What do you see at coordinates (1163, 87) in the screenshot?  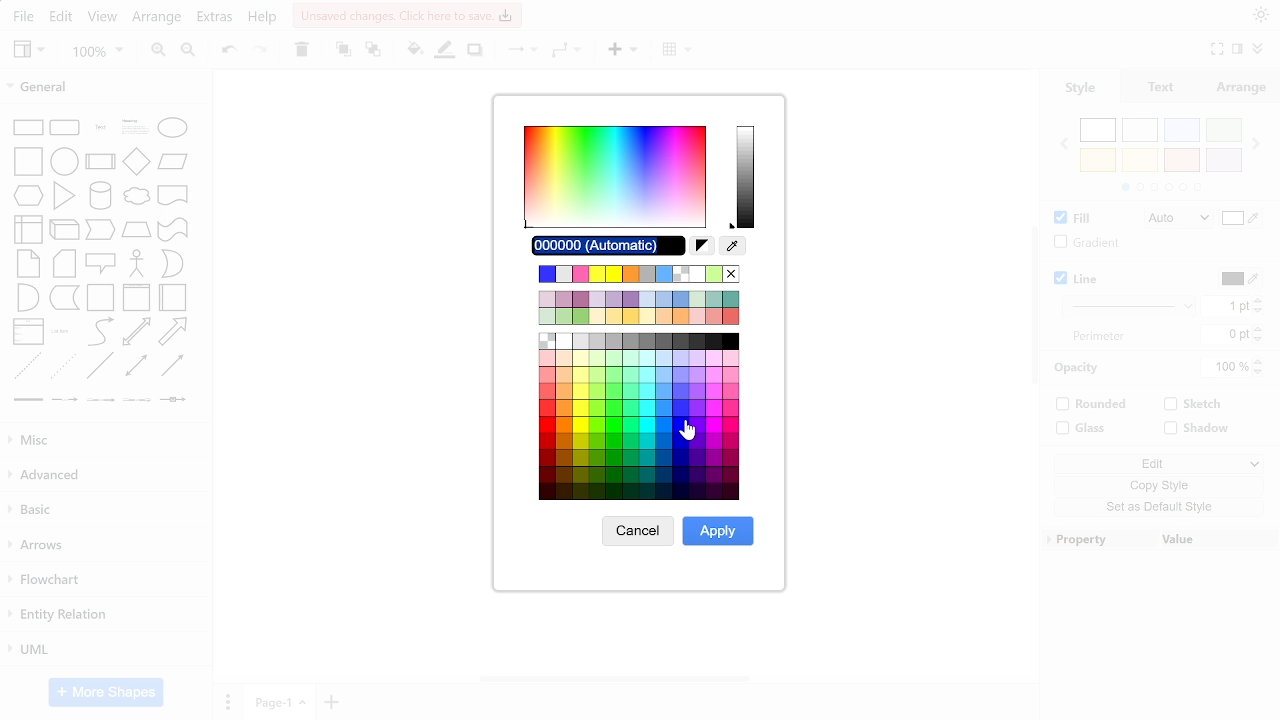 I see `text` at bounding box center [1163, 87].